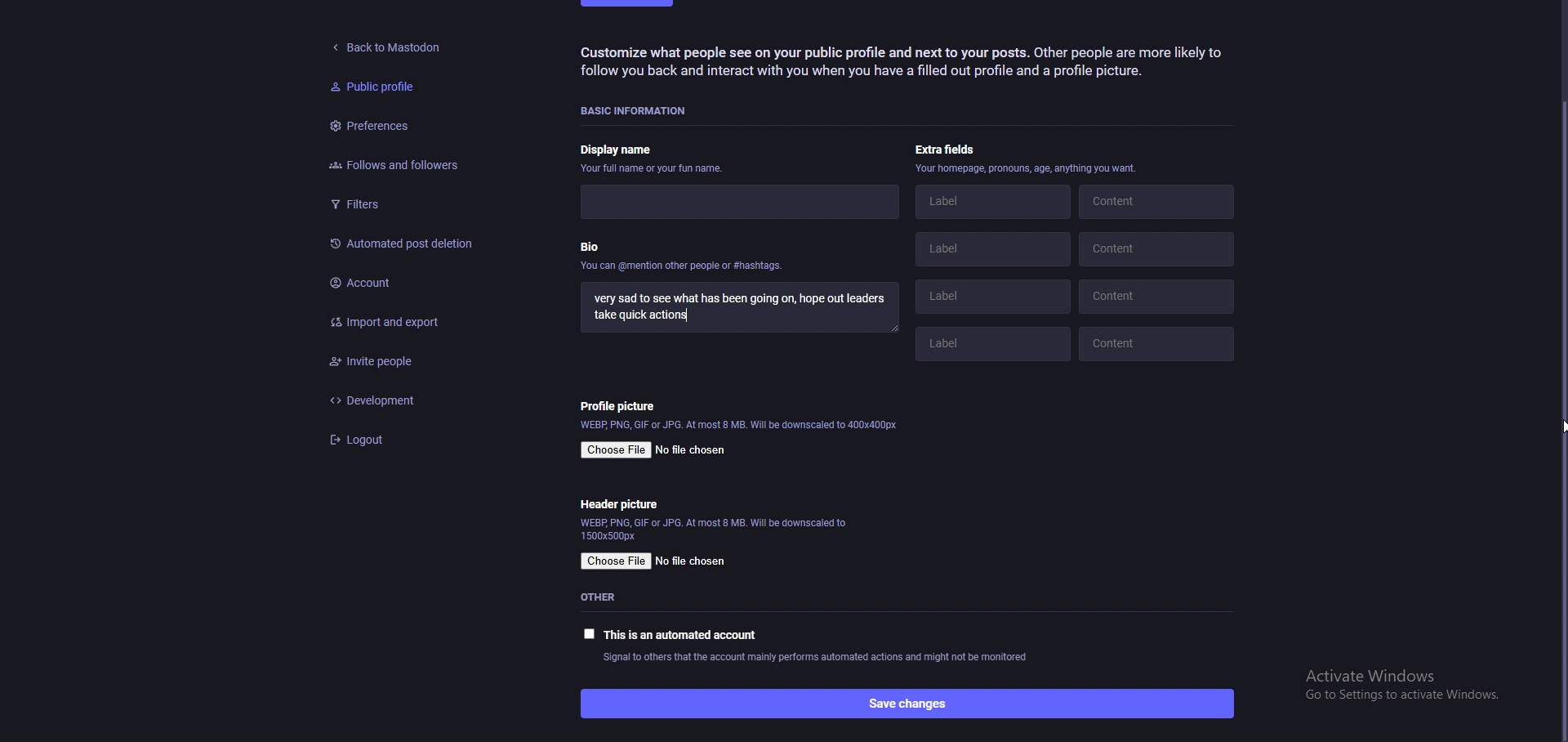  Describe the element at coordinates (950, 150) in the screenshot. I see `extra fields` at that location.